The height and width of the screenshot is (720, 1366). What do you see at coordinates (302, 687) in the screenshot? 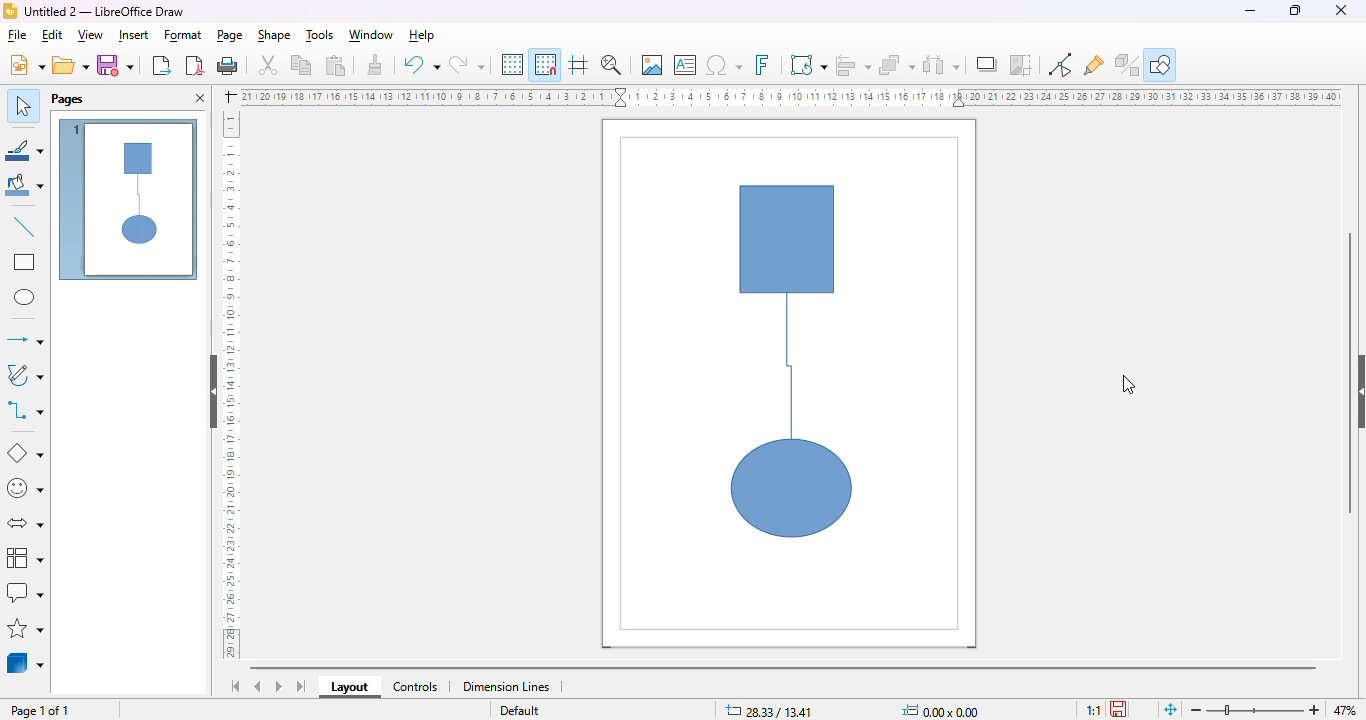
I see `scroll to last sheet` at bounding box center [302, 687].